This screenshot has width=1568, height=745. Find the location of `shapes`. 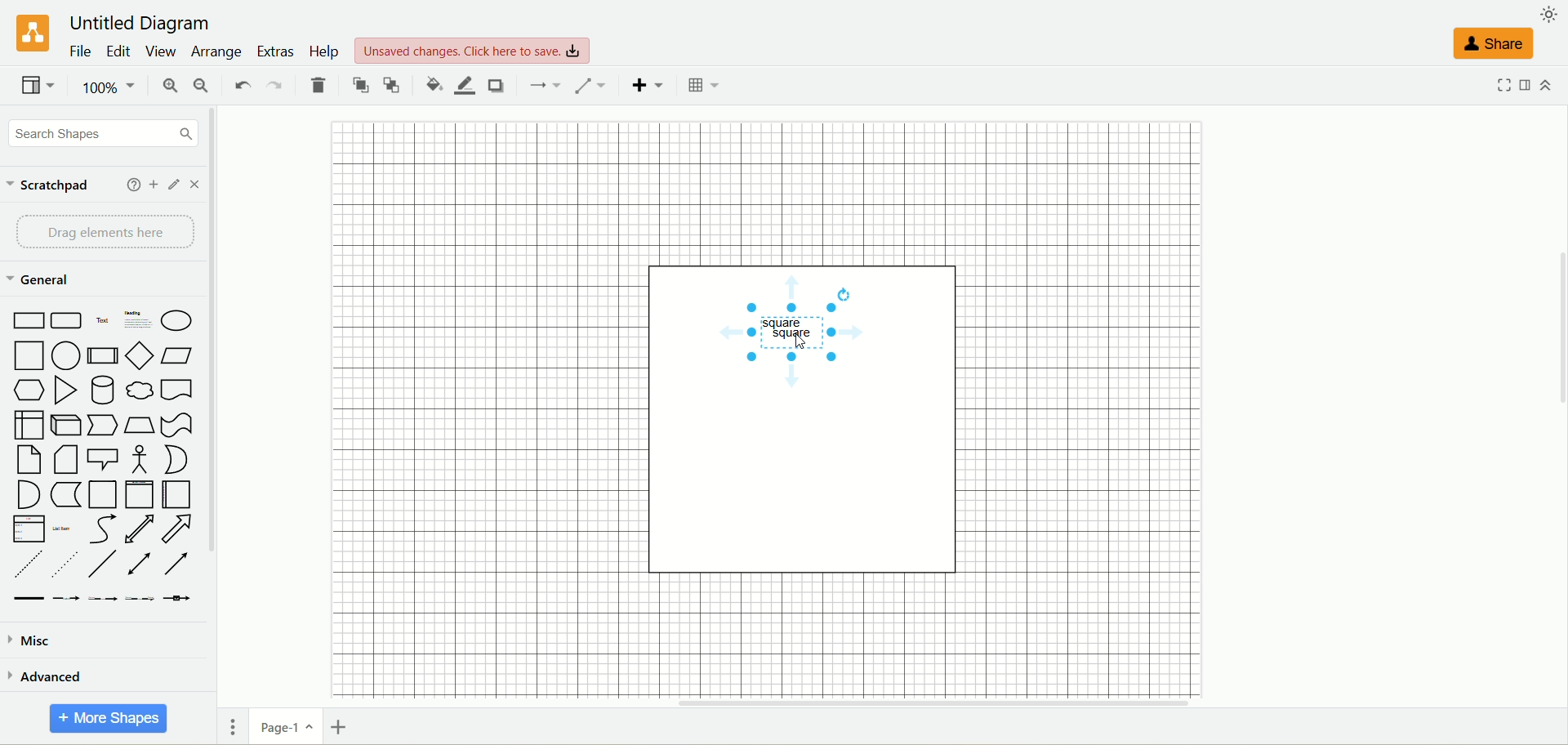

shapes is located at coordinates (100, 454).